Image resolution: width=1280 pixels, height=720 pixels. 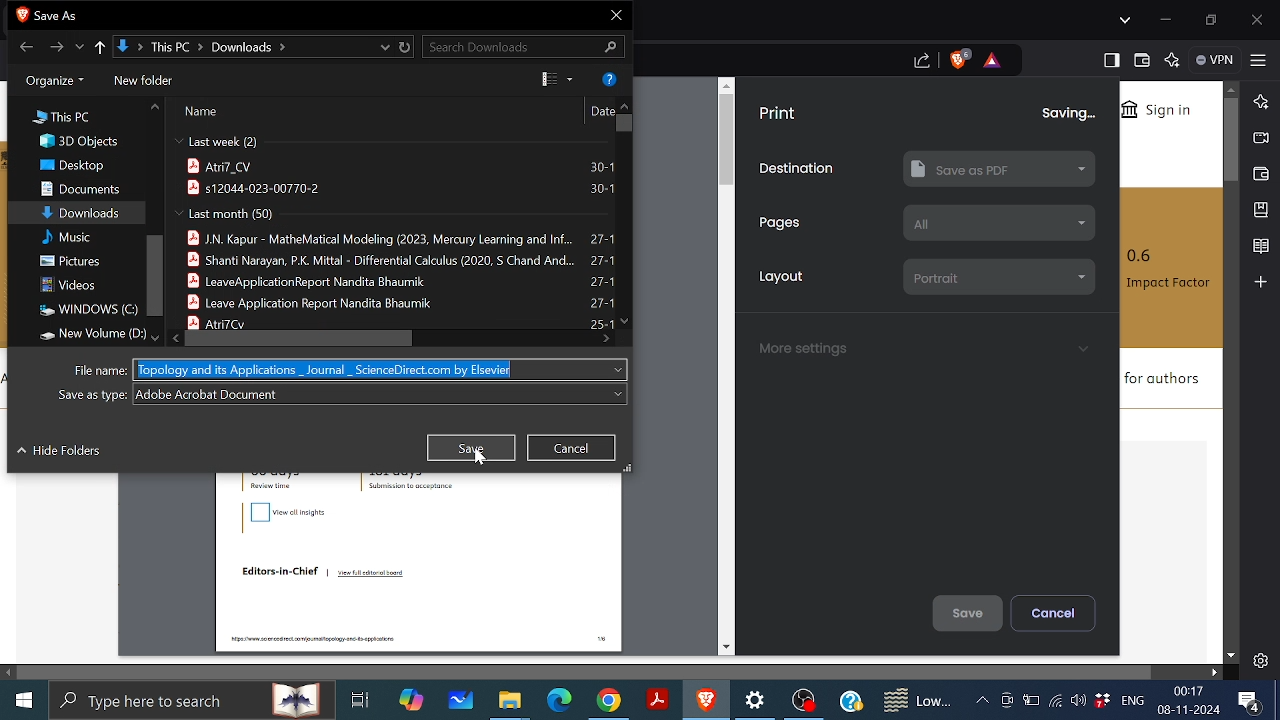 What do you see at coordinates (393, 280) in the screenshot?
I see `j.n. kapur - mathematical modelling(2023, mercury learning and inf.. 27-1 shanti narayan, p.k mittal - differential calculus (2020, s chand and ... 27-1 leave application report nandita bhaumik 27-1 antri7cv 25-1` at bounding box center [393, 280].